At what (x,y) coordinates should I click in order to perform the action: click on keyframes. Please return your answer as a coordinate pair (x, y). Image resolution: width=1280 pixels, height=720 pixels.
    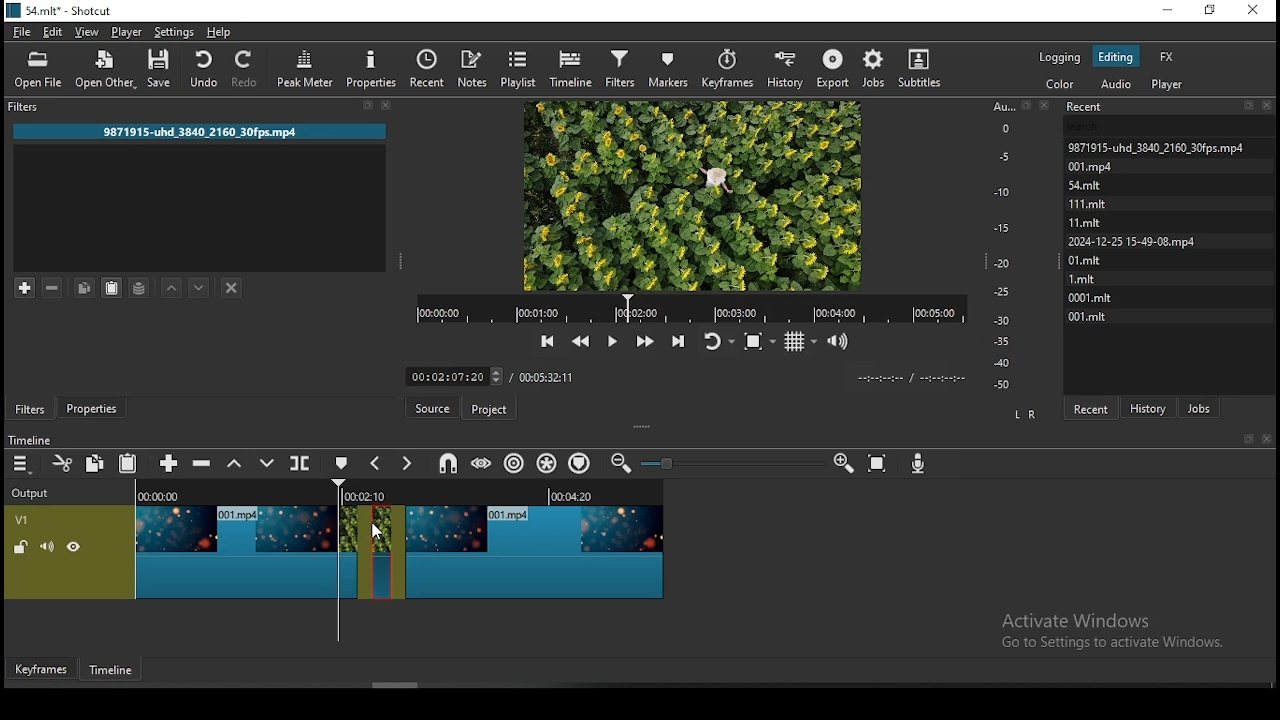
    Looking at the image, I should click on (731, 69).